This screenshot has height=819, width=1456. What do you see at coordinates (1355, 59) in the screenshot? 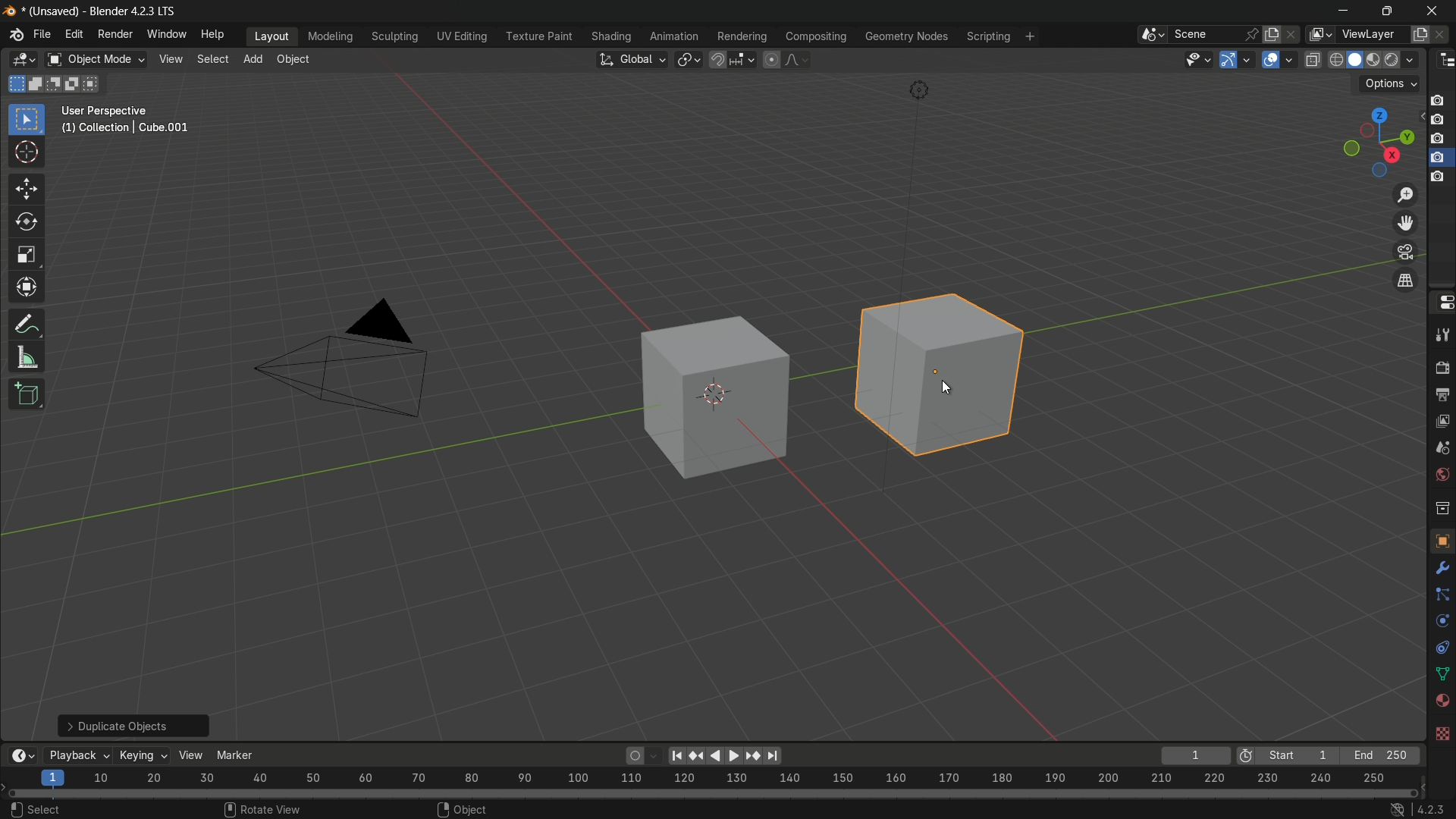
I see `solid display` at bounding box center [1355, 59].